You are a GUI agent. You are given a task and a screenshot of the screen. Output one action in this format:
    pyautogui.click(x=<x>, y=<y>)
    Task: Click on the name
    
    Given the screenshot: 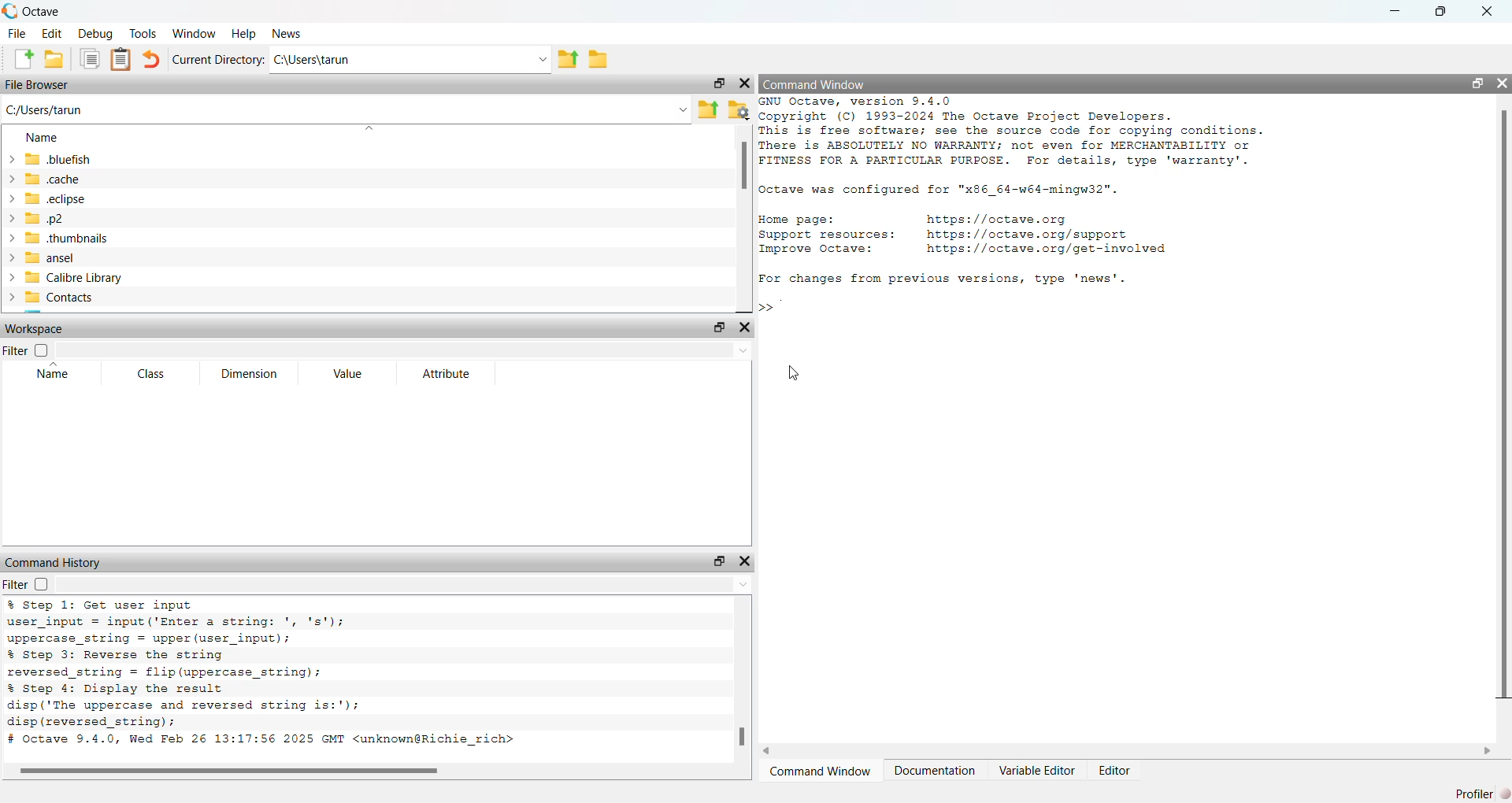 What is the action you would take?
    pyautogui.click(x=37, y=375)
    